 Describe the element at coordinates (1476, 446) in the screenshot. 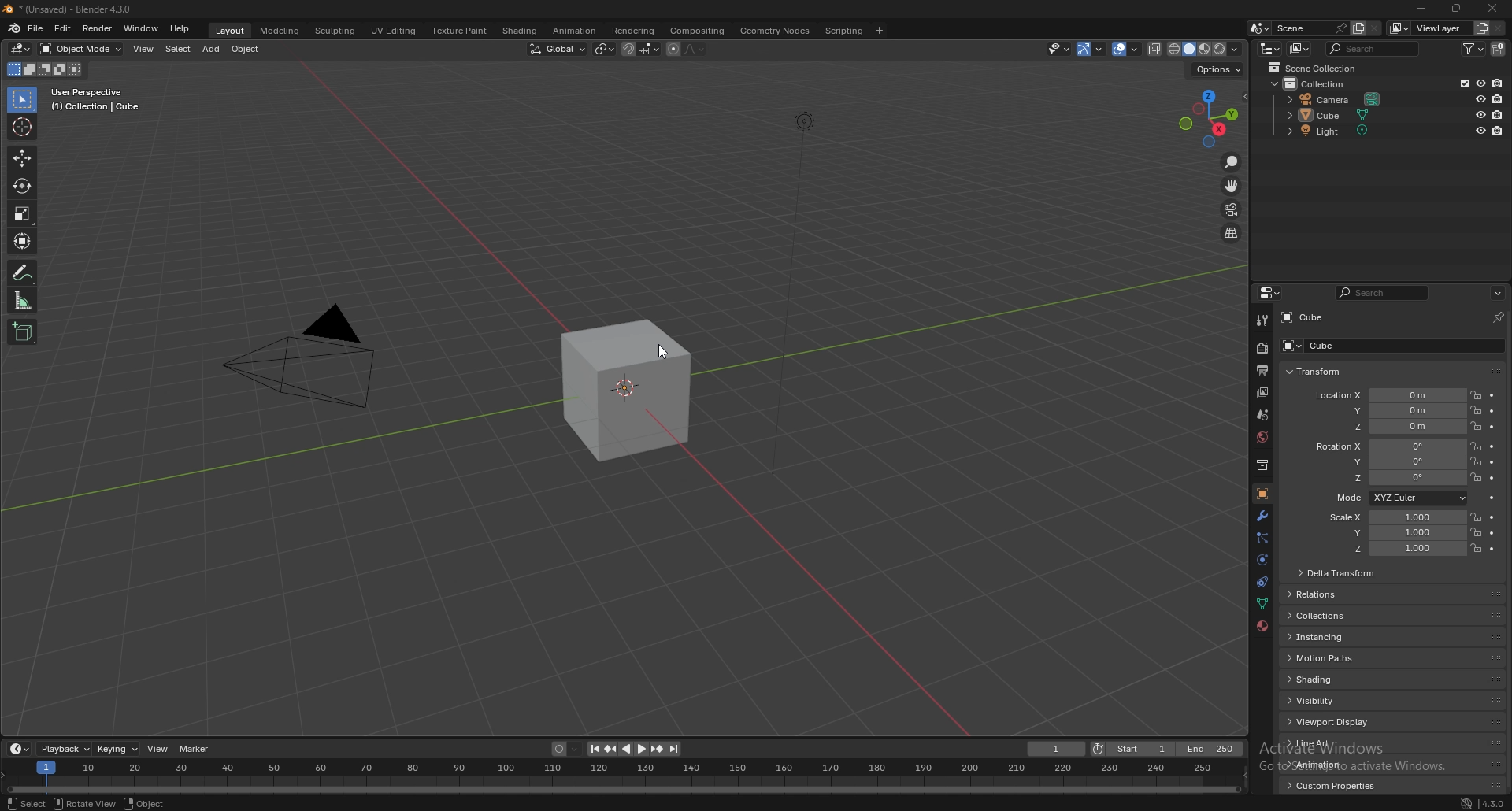

I see `lock` at that location.